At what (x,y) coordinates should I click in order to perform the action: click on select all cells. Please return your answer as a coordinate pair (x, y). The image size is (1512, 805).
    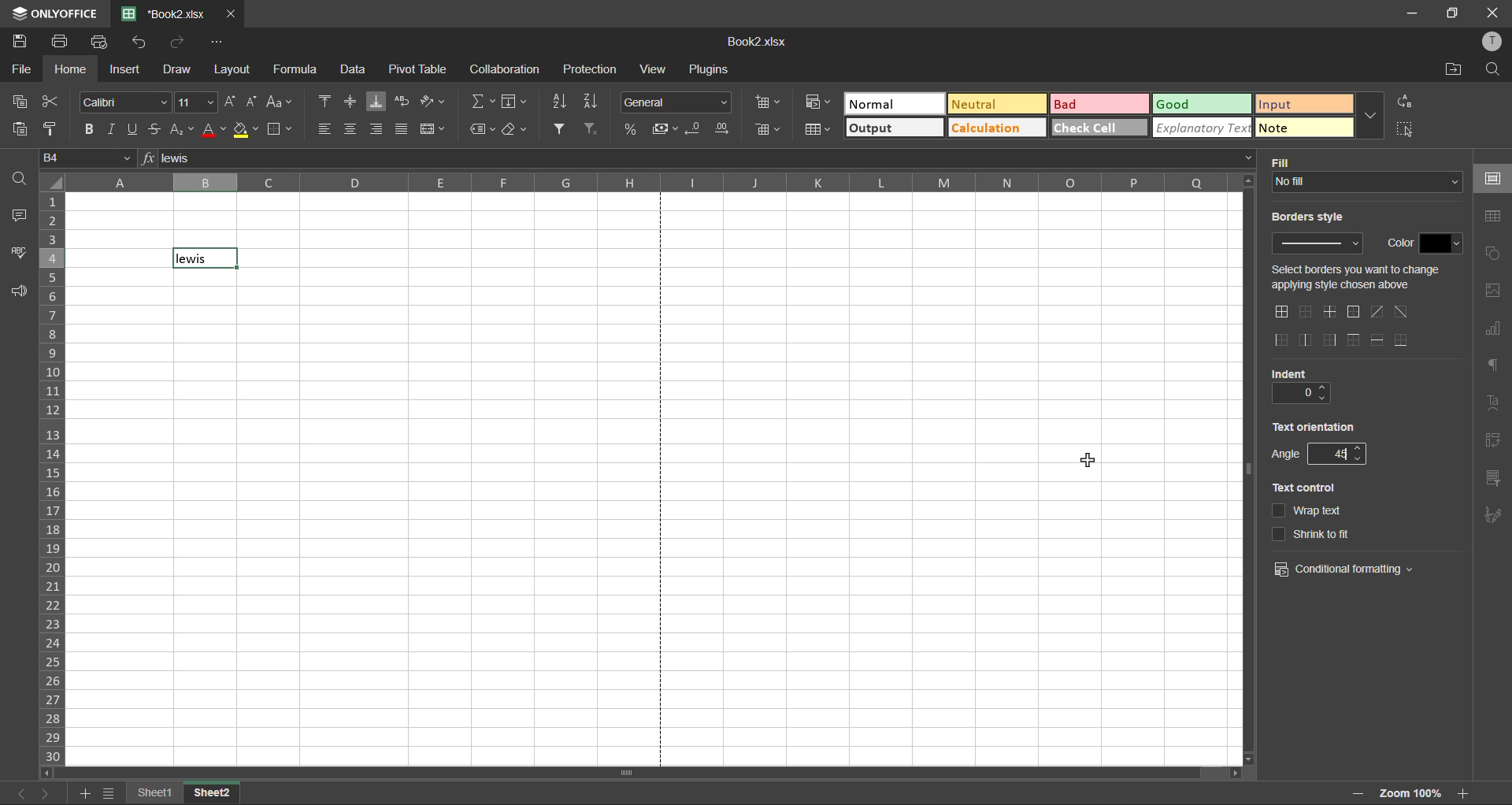
    Looking at the image, I should click on (49, 182).